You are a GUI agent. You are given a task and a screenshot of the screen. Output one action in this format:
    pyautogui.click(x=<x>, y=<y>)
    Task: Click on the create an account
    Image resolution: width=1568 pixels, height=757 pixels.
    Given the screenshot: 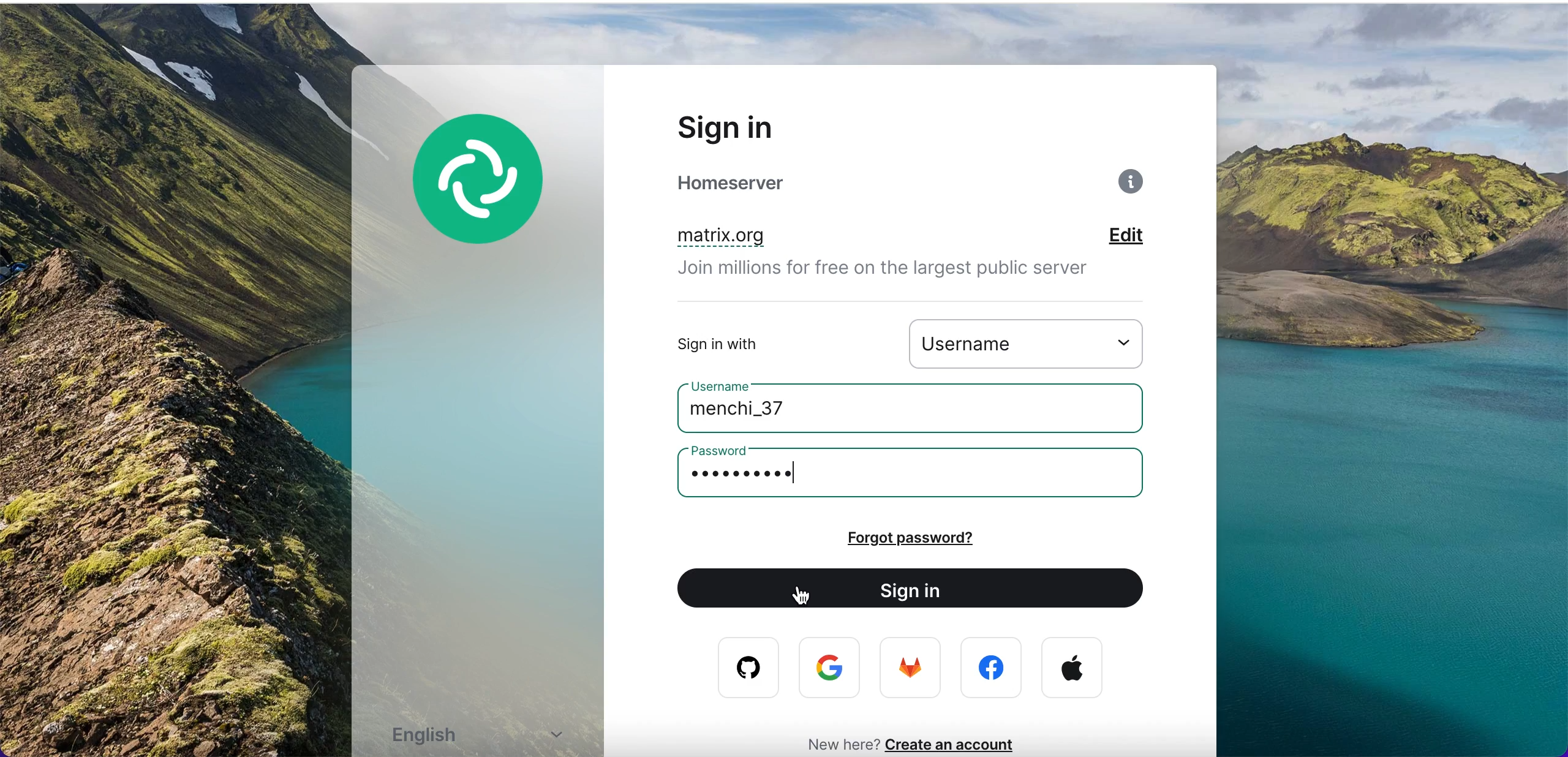 What is the action you would take?
    pyautogui.click(x=957, y=744)
    